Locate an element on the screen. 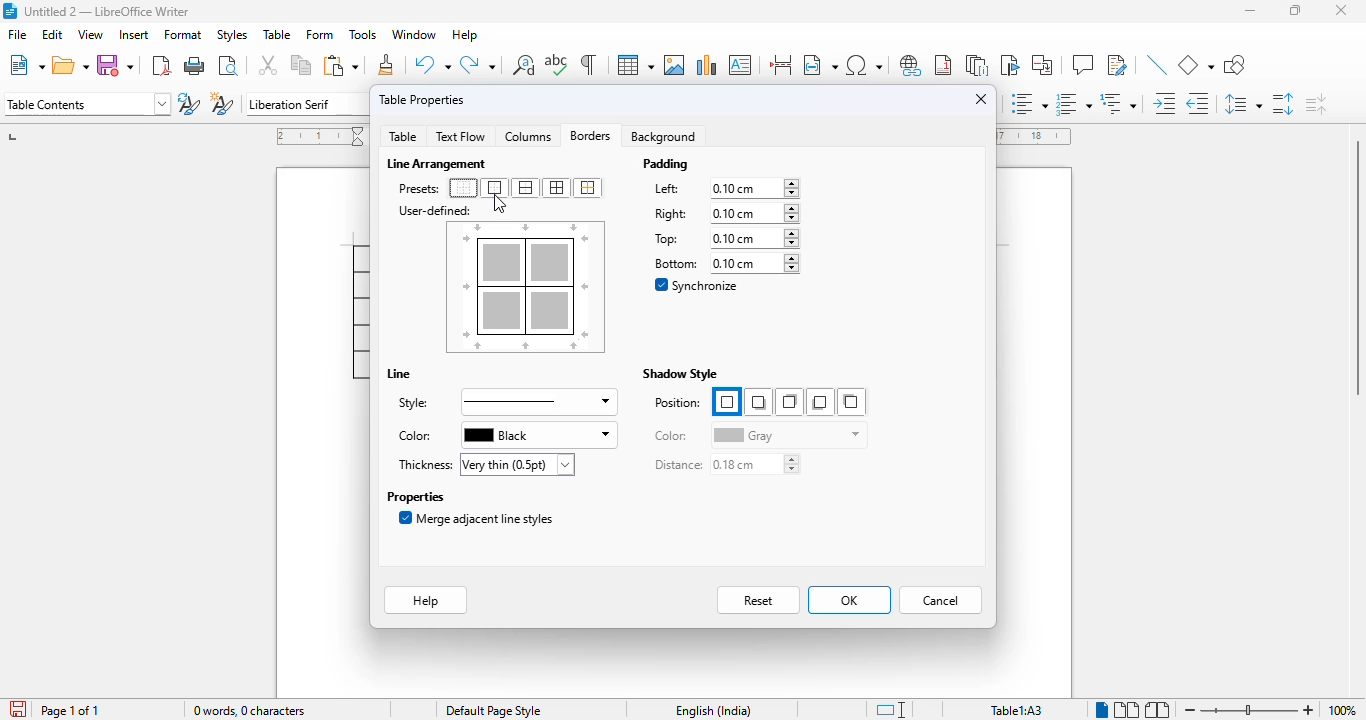  zoom in is located at coordinates (1309, 710).